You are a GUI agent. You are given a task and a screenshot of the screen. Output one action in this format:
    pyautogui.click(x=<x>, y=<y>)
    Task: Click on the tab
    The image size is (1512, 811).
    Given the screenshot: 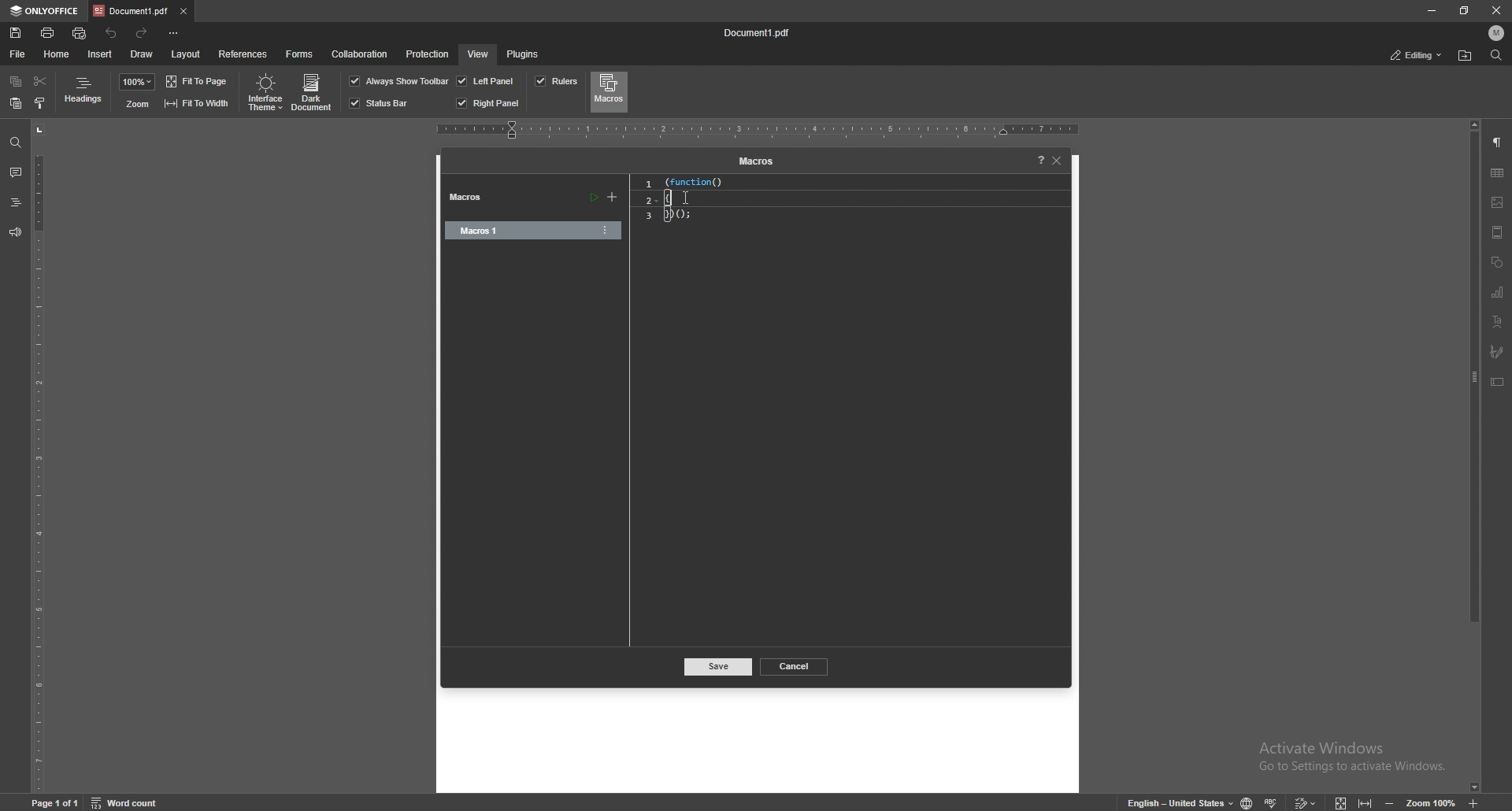 What is the action you would take?
    pyautogui.click(x=130, y=11)
    